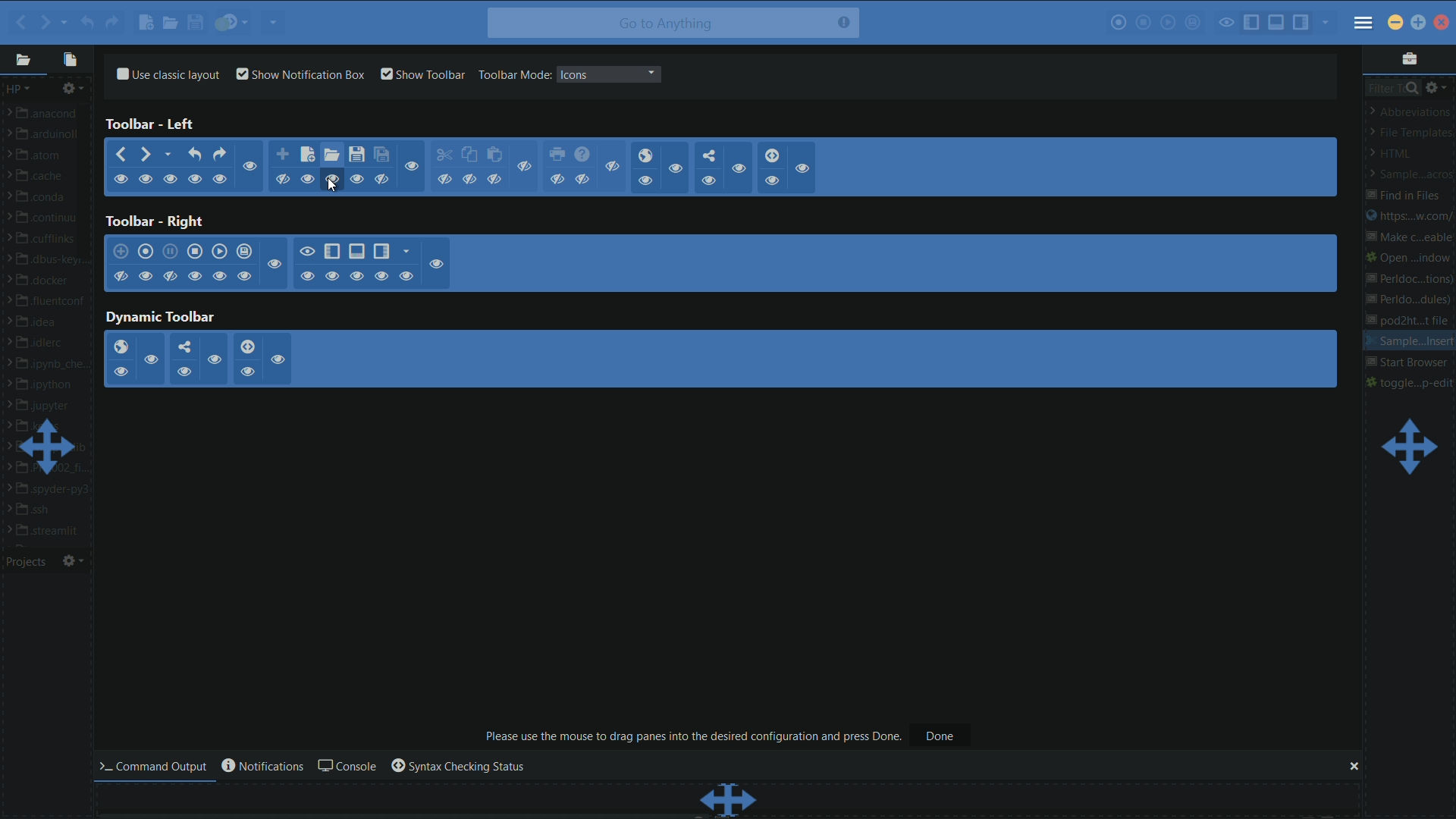 The height and width of the screenshot is (819, 1456). What do you see at coordinates (119, 155) in the screenshot?
I see `back` at bounding box center [119, 155].